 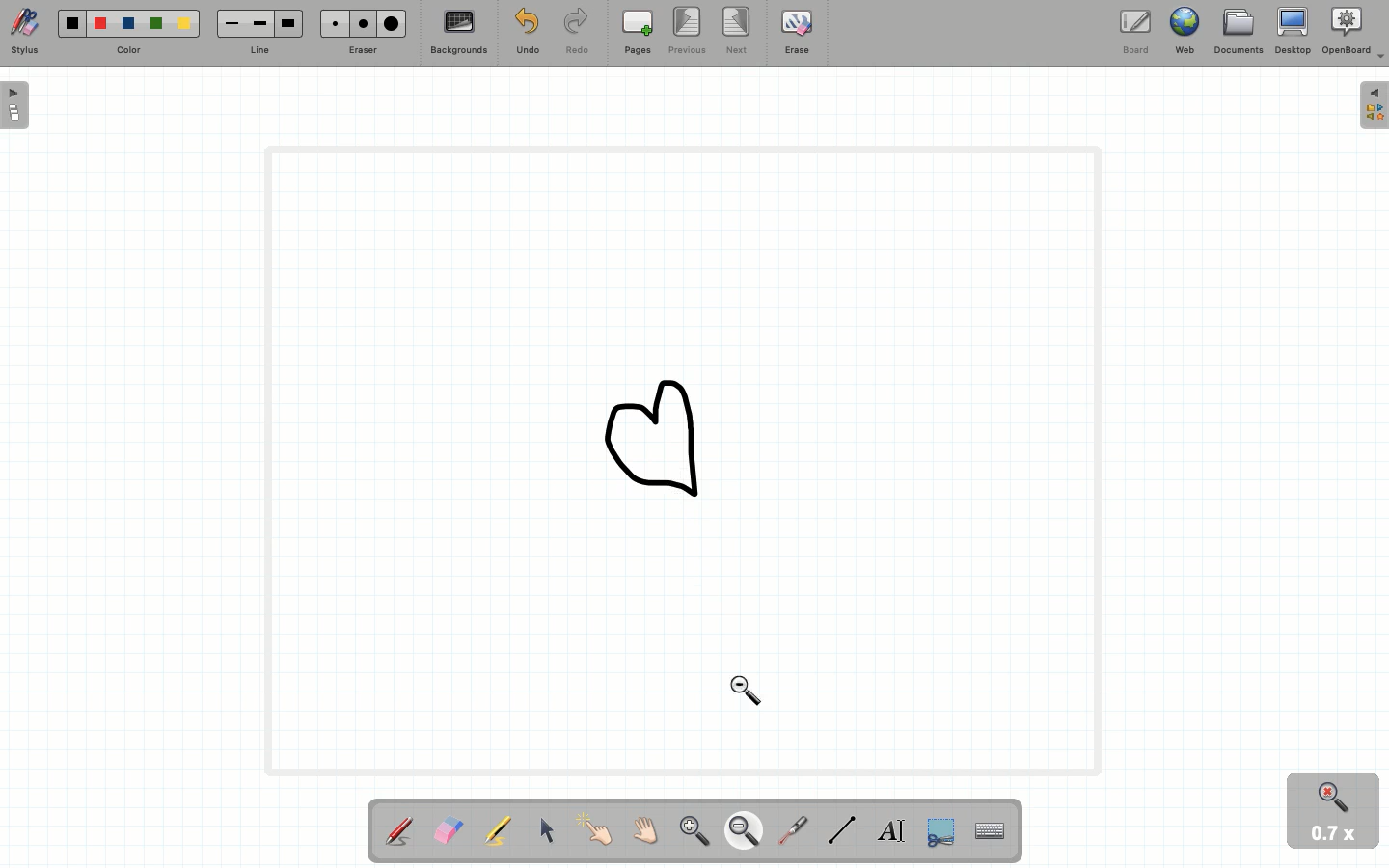 I want to click on Erase, so click(x=797, y=36).